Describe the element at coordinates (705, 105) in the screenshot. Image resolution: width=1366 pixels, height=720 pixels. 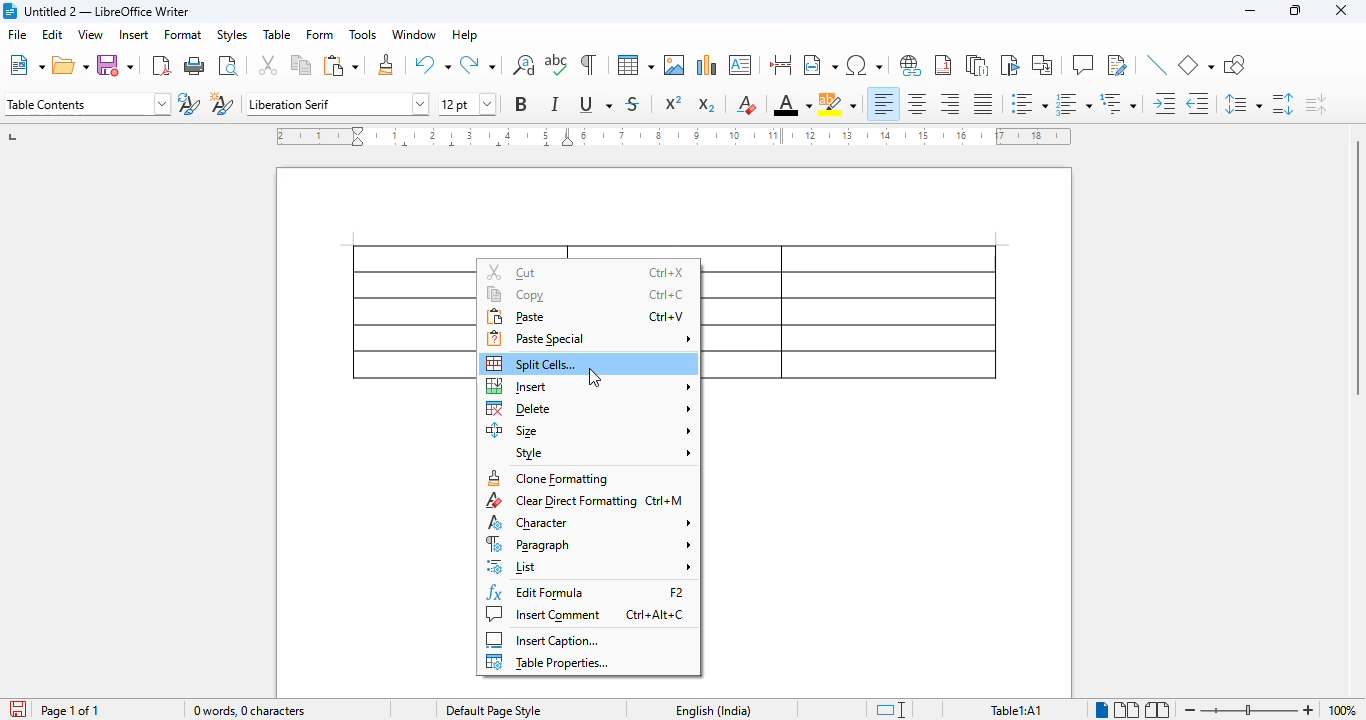
I see `subscript` at that location.